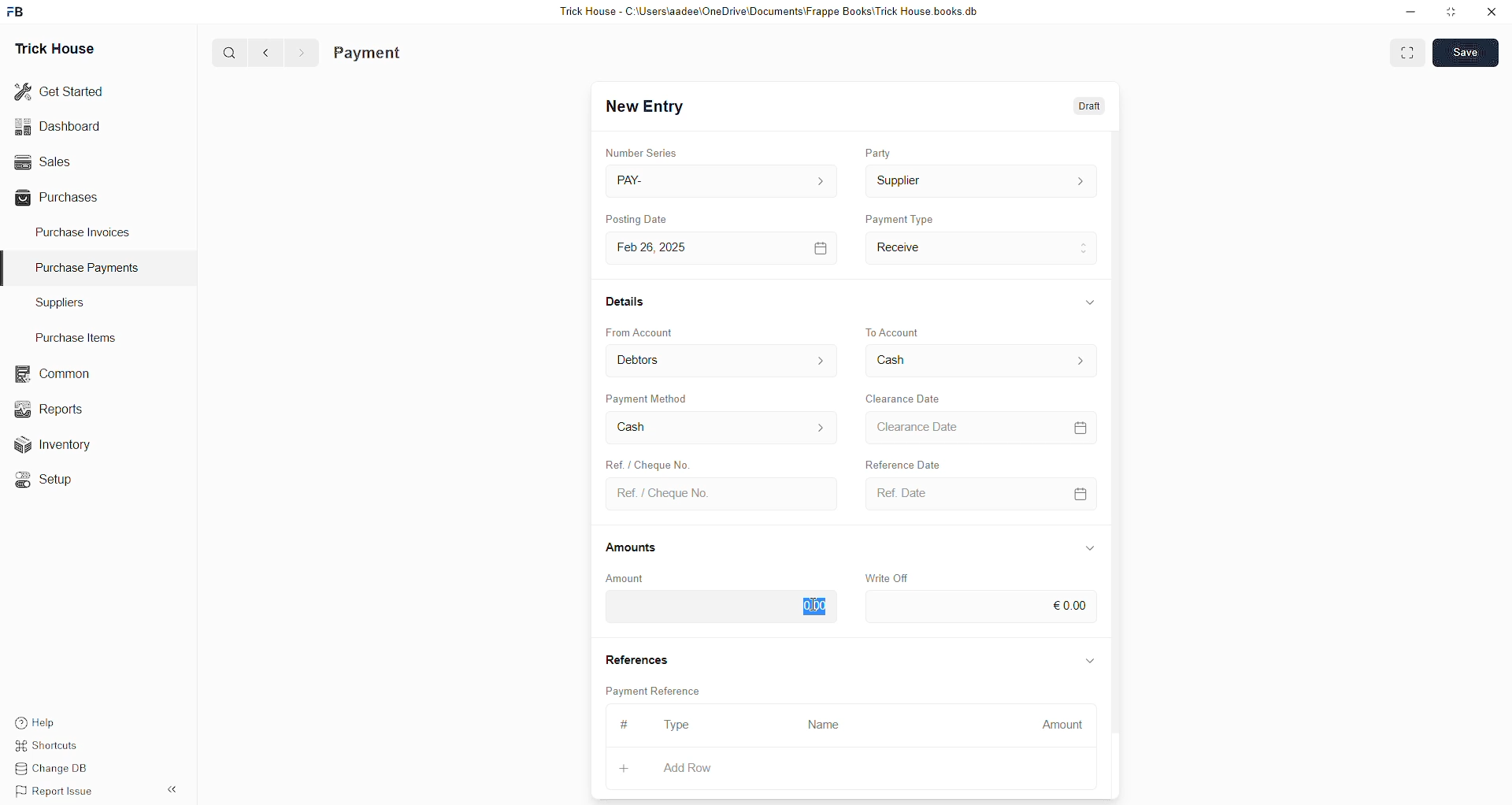 Image resolution: width=1512 pixels, height=805 pixels. Describe the element at coordinates (680, 725) in the screenshot. I see `Type` at that location.